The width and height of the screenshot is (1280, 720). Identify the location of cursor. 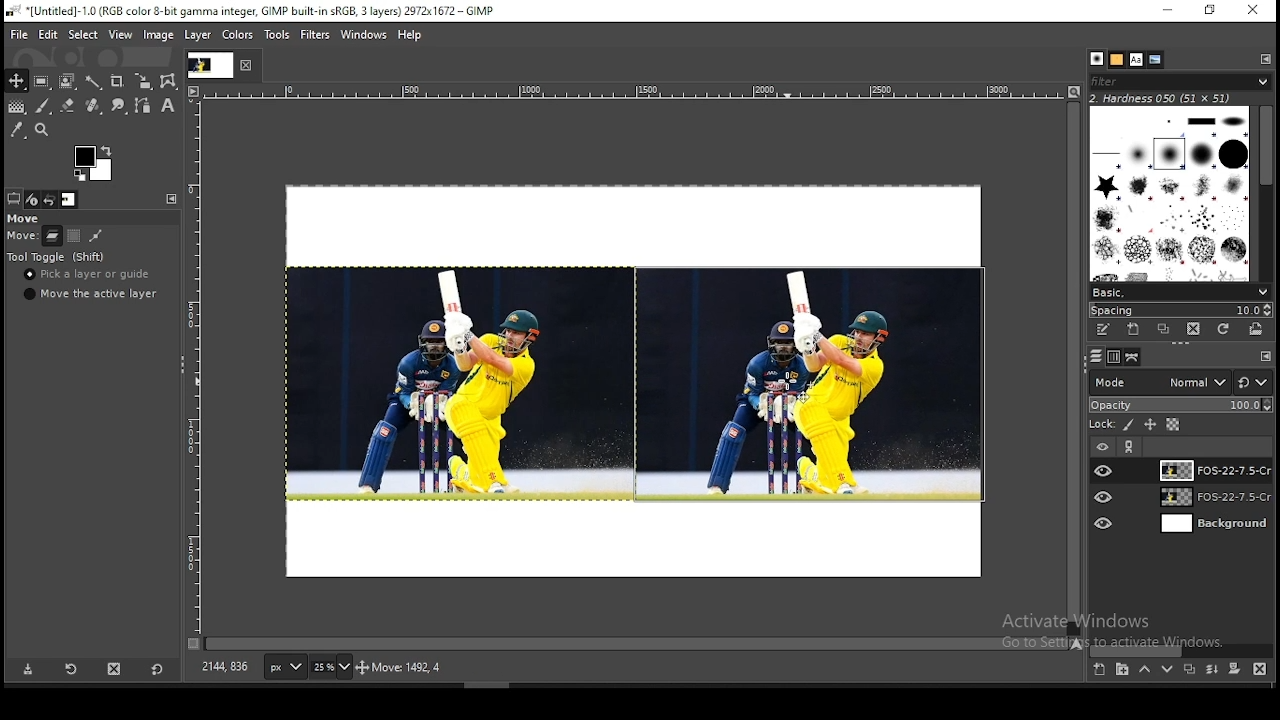
(789, 383).